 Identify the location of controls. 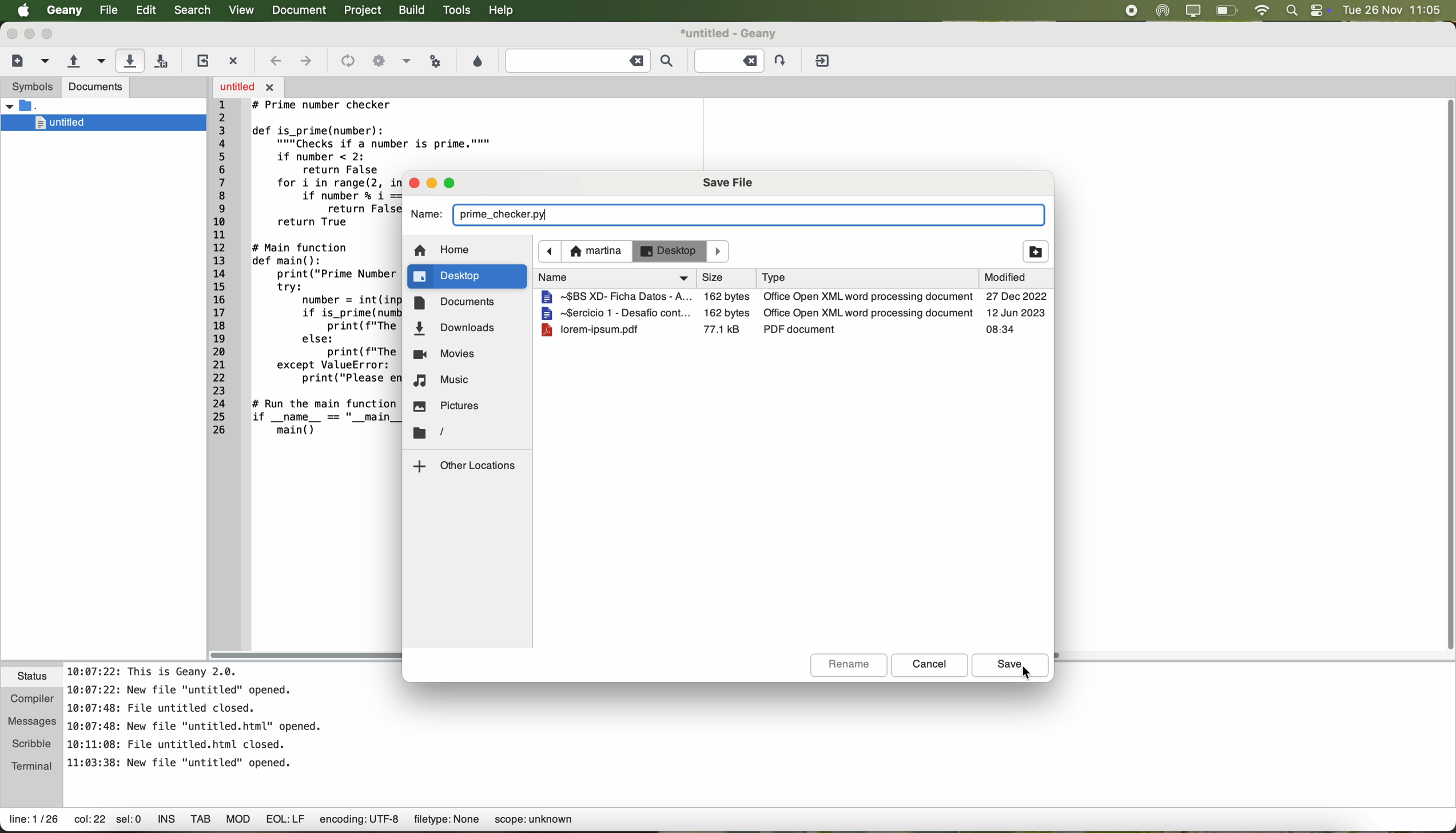
(1319, 10).